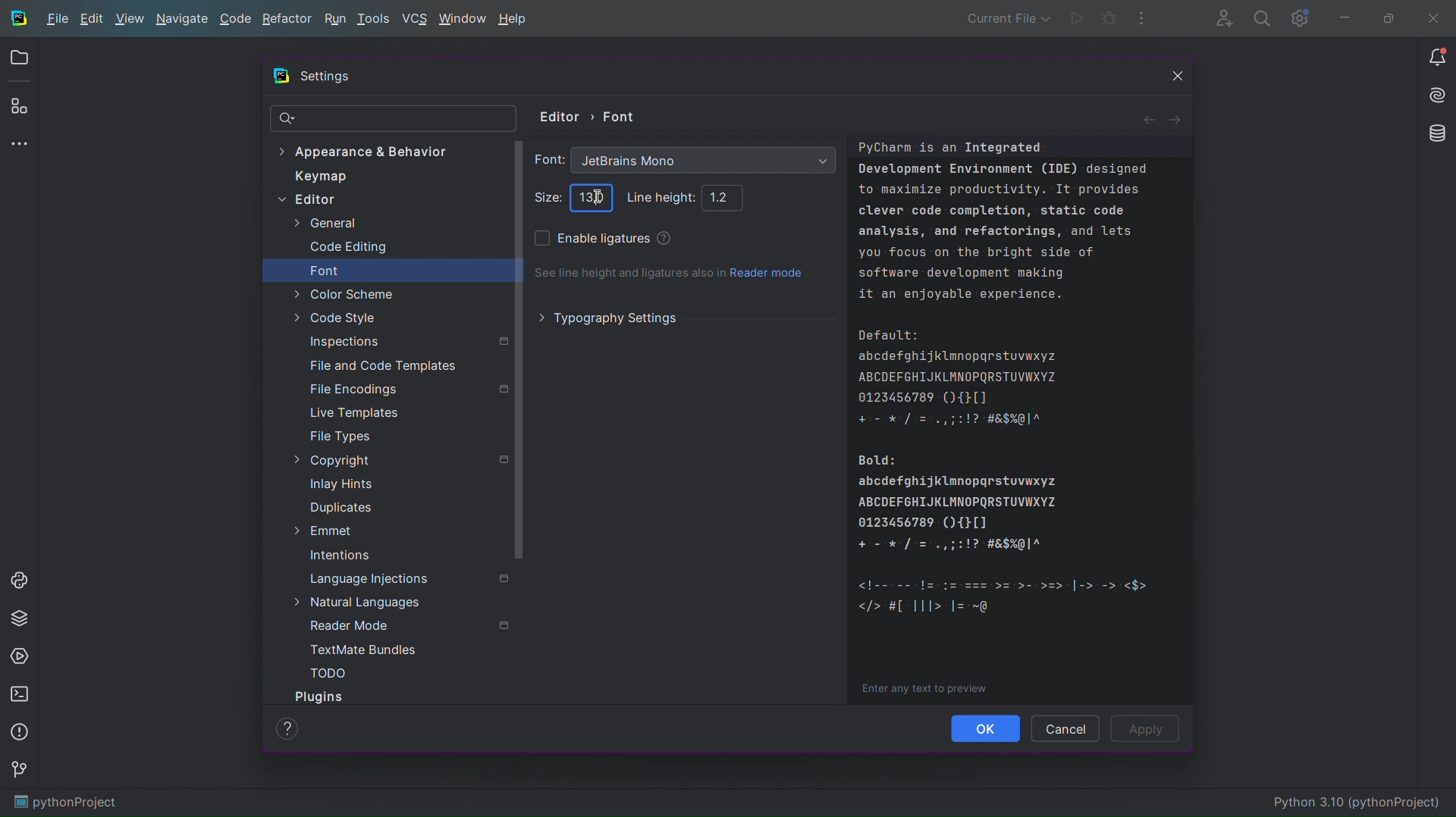 The height and width of the screenshot is (817, 1456). Describe the element at coordinates (406, 340) in the screenshot. I see `Inspections` at that location.